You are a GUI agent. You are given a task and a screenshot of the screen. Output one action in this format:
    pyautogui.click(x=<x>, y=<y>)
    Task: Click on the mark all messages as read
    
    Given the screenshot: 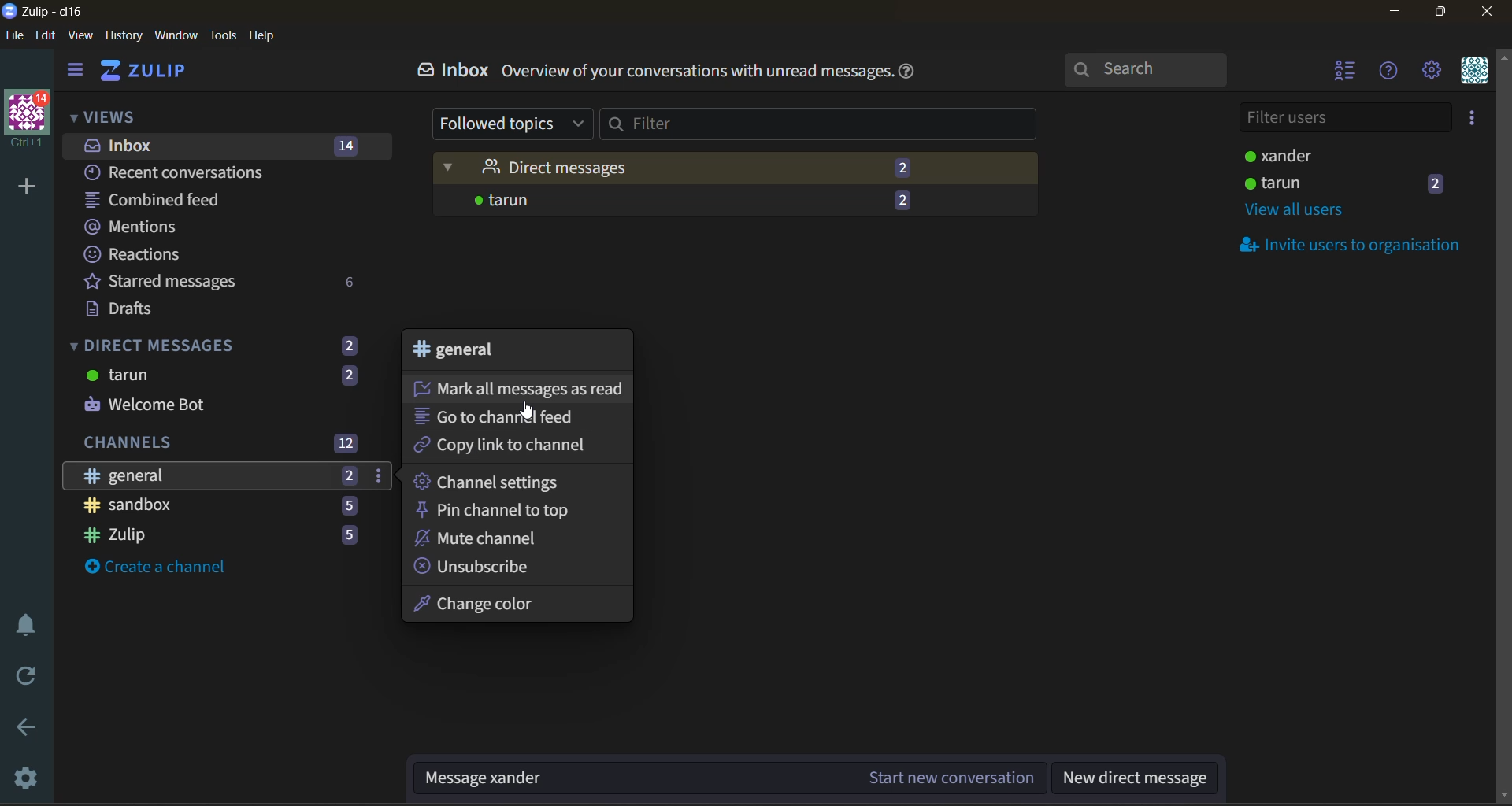 What is the action you would take?
    pyautogui.click(x=516, y=387)
    